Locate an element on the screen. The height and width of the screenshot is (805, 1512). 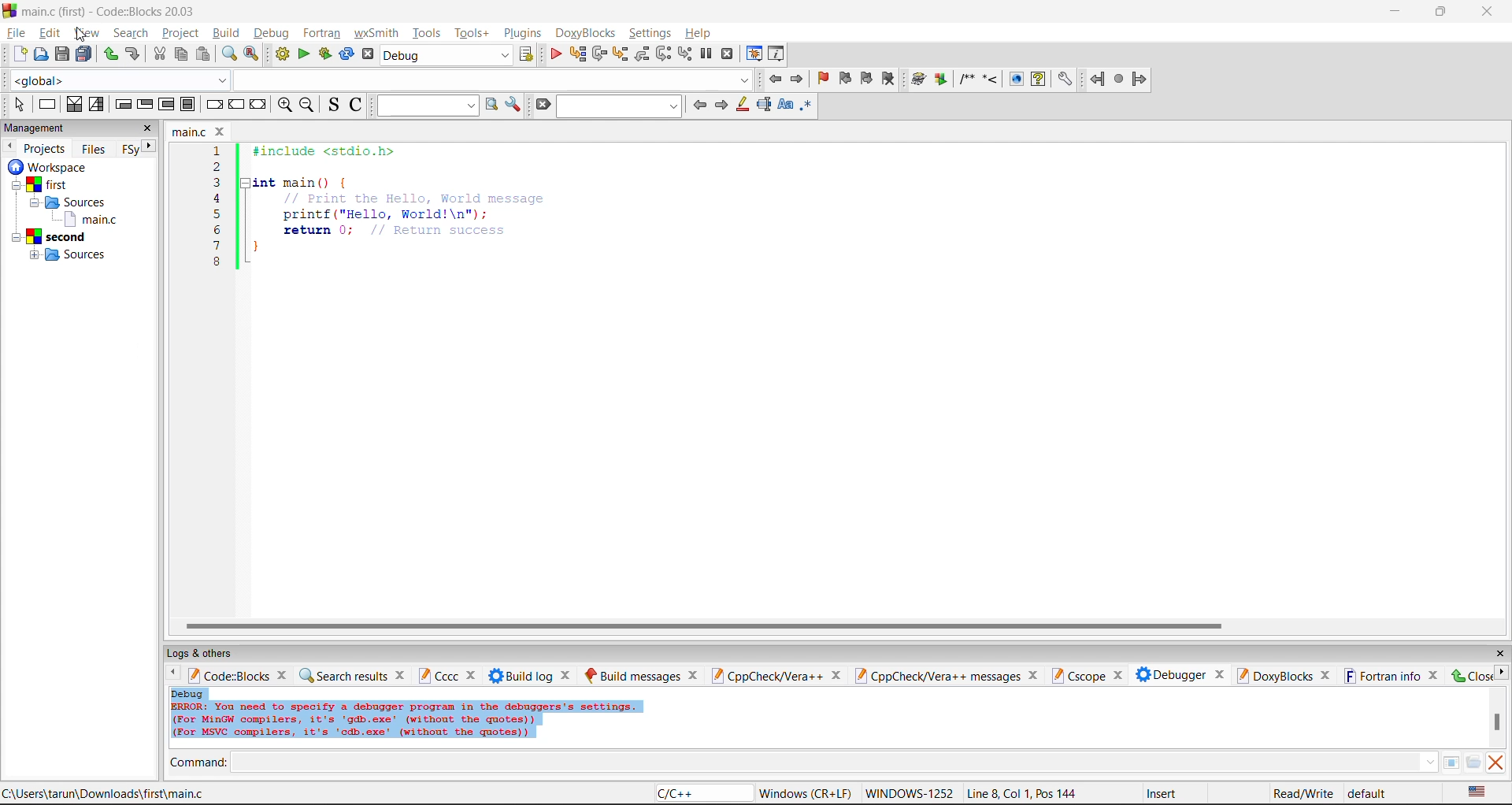
next is located at coordinates (151, 147).